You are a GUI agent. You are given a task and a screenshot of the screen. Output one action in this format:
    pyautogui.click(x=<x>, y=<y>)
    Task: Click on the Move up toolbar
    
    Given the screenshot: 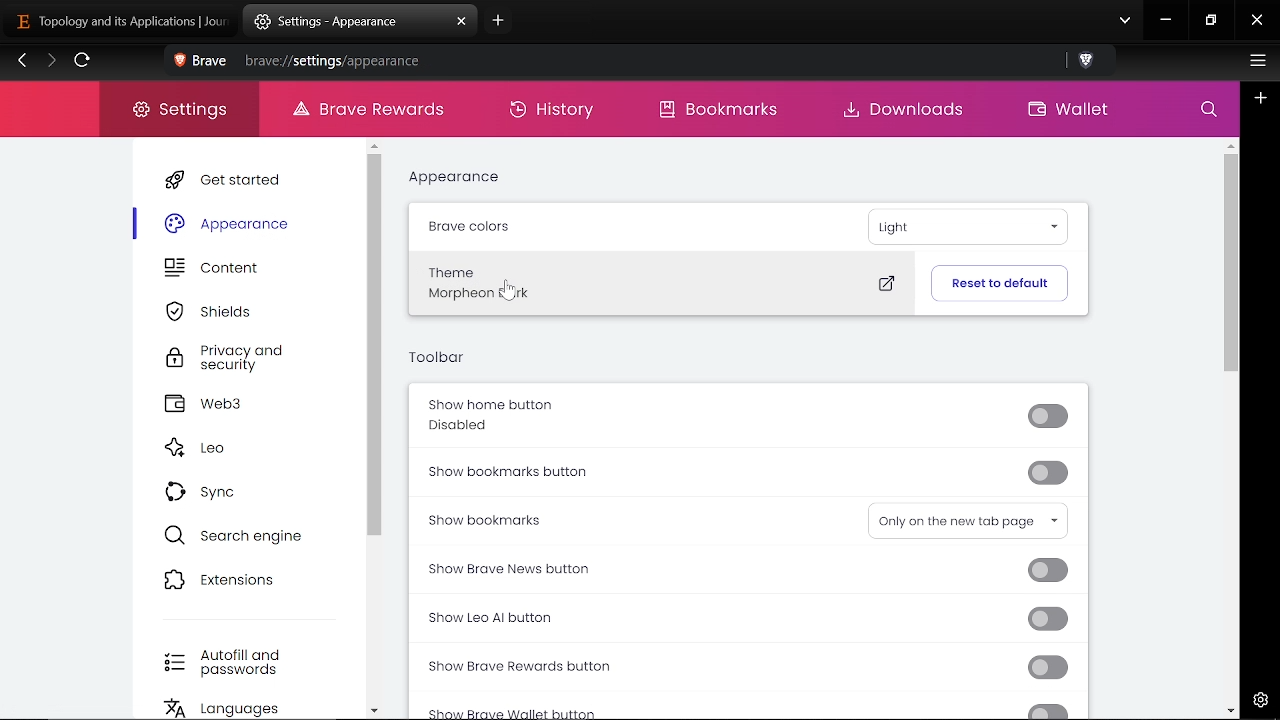 What is the action you would take?
    pyautogui.click(x=1230, y=145)
    